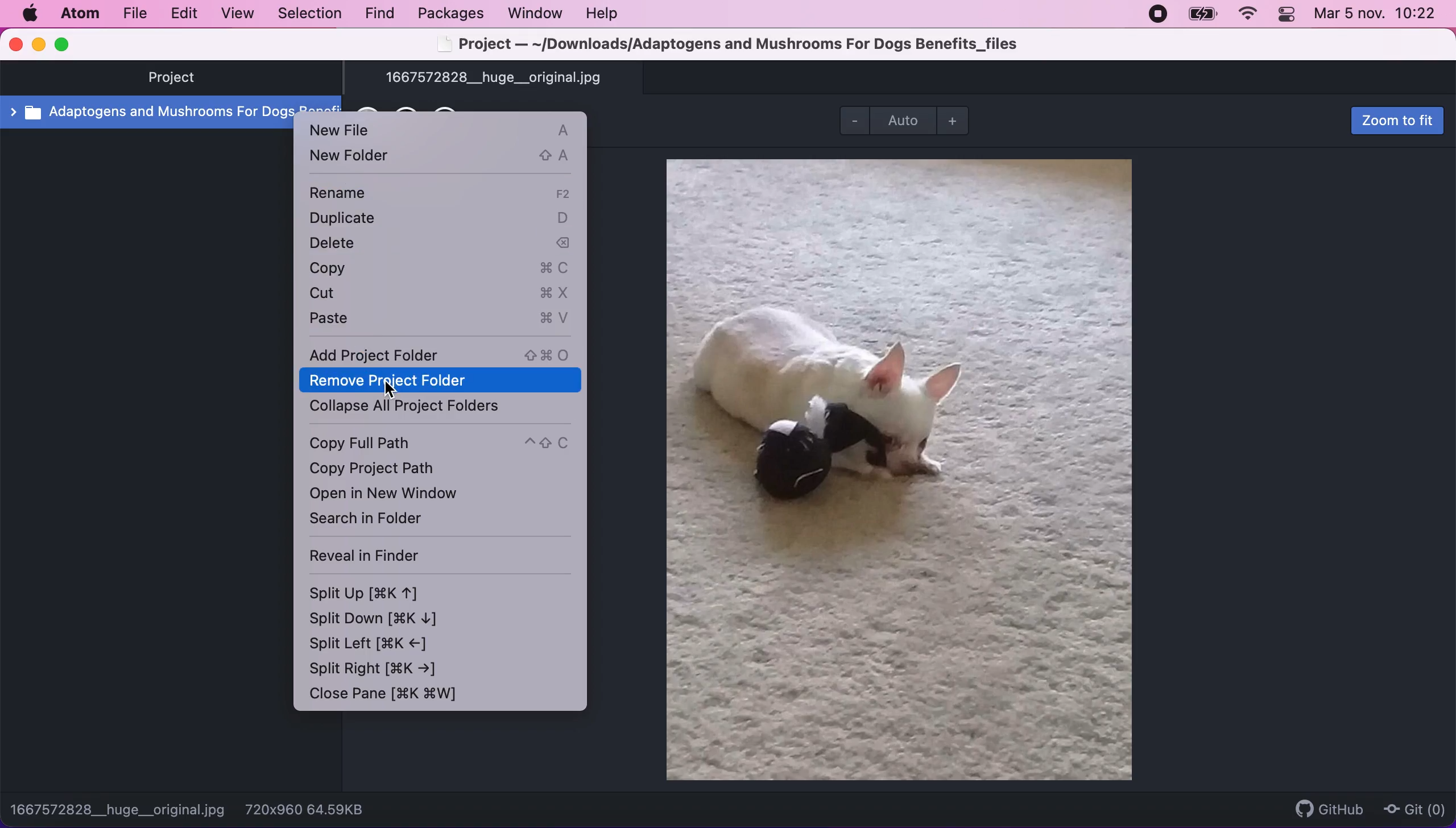 Image resolution: width=1456 pixels, height=828 pixels. What do you see at coordinates (374, 556) in the screenshot?
I see `reveal in finder` at bounding box center [374, 556].